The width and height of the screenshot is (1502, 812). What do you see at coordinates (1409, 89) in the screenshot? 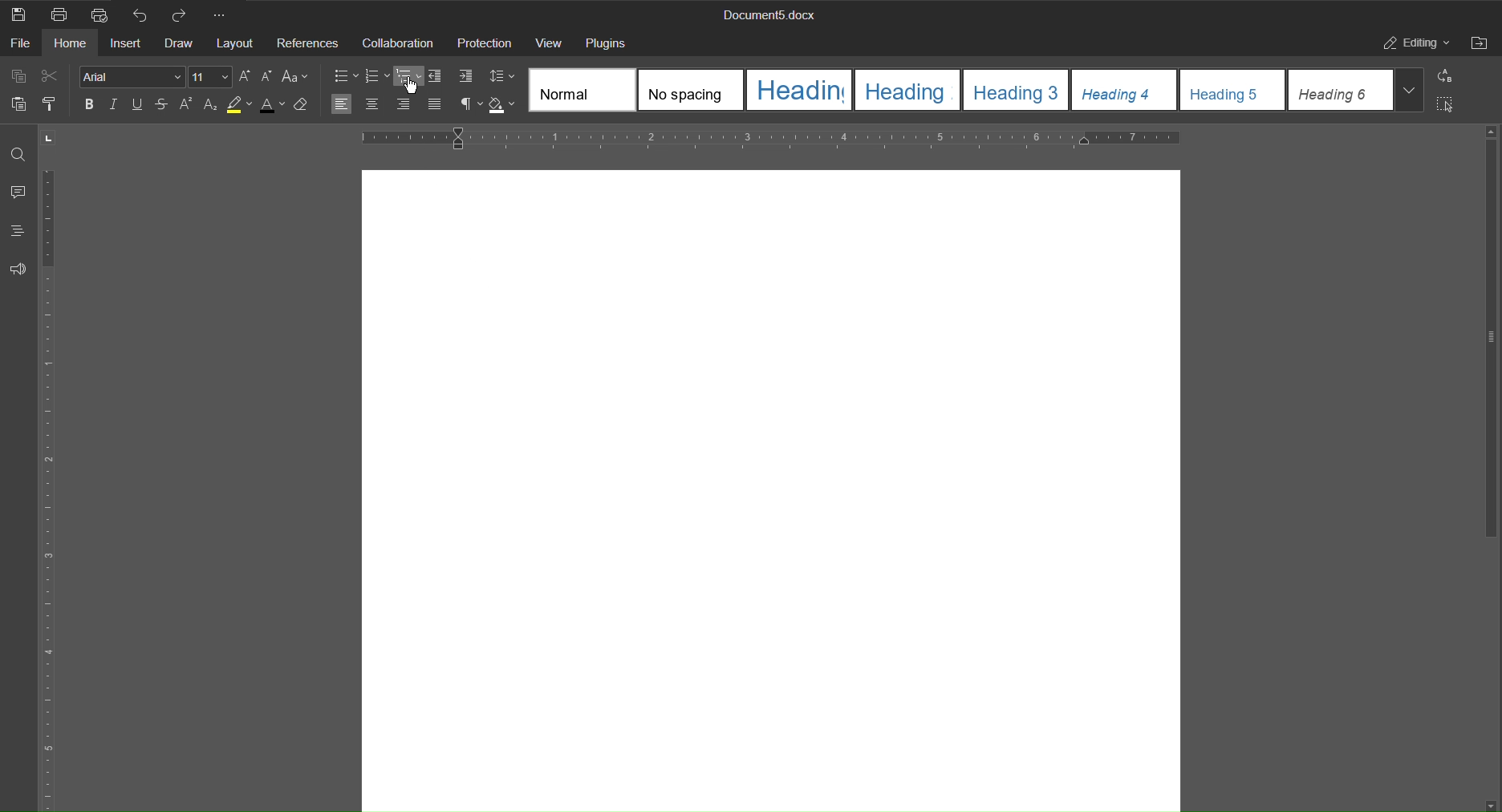
I see `More templates` at bounding box center [1409, 89].